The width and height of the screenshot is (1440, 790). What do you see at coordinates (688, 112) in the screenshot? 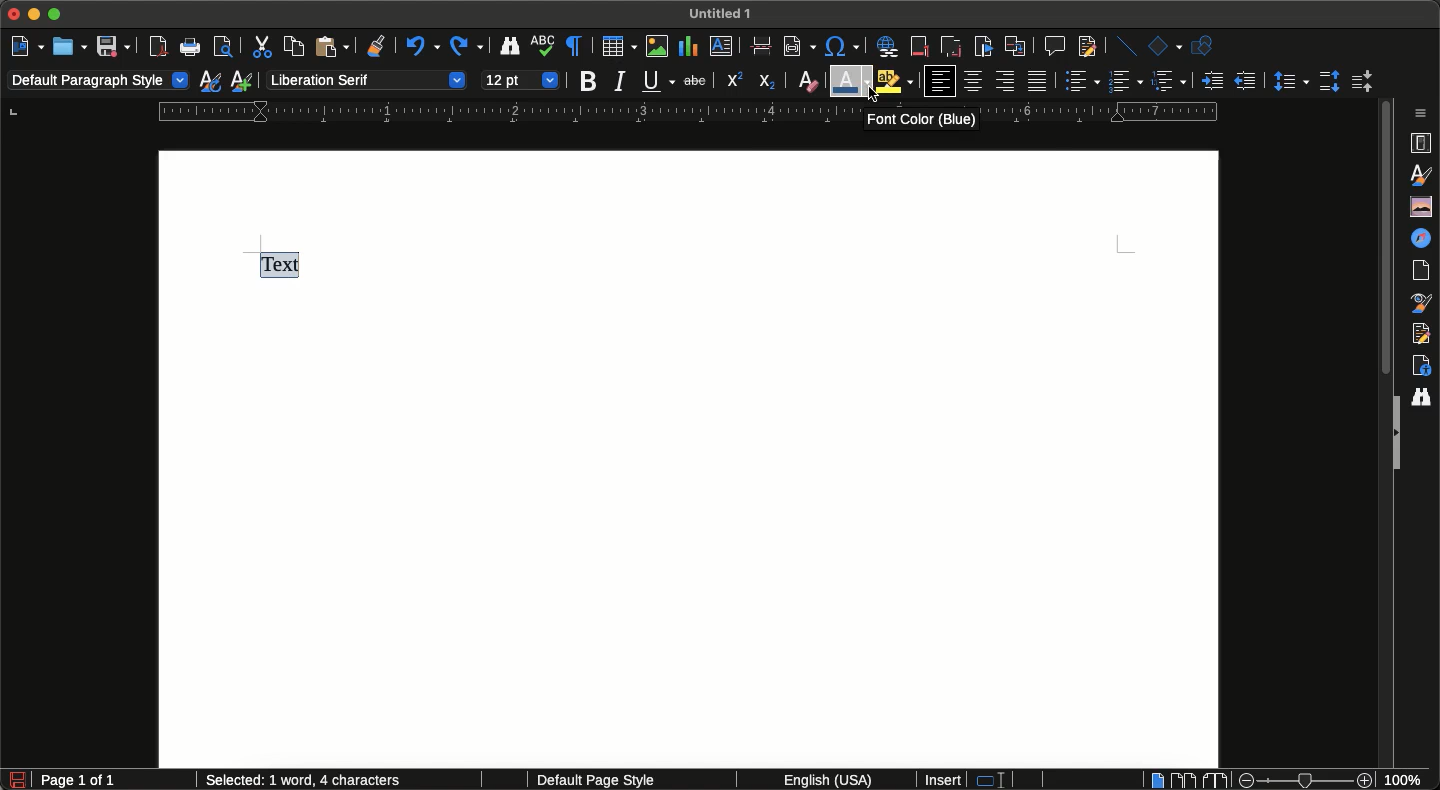
I see `Ruler` at bounding box center [688, 112].